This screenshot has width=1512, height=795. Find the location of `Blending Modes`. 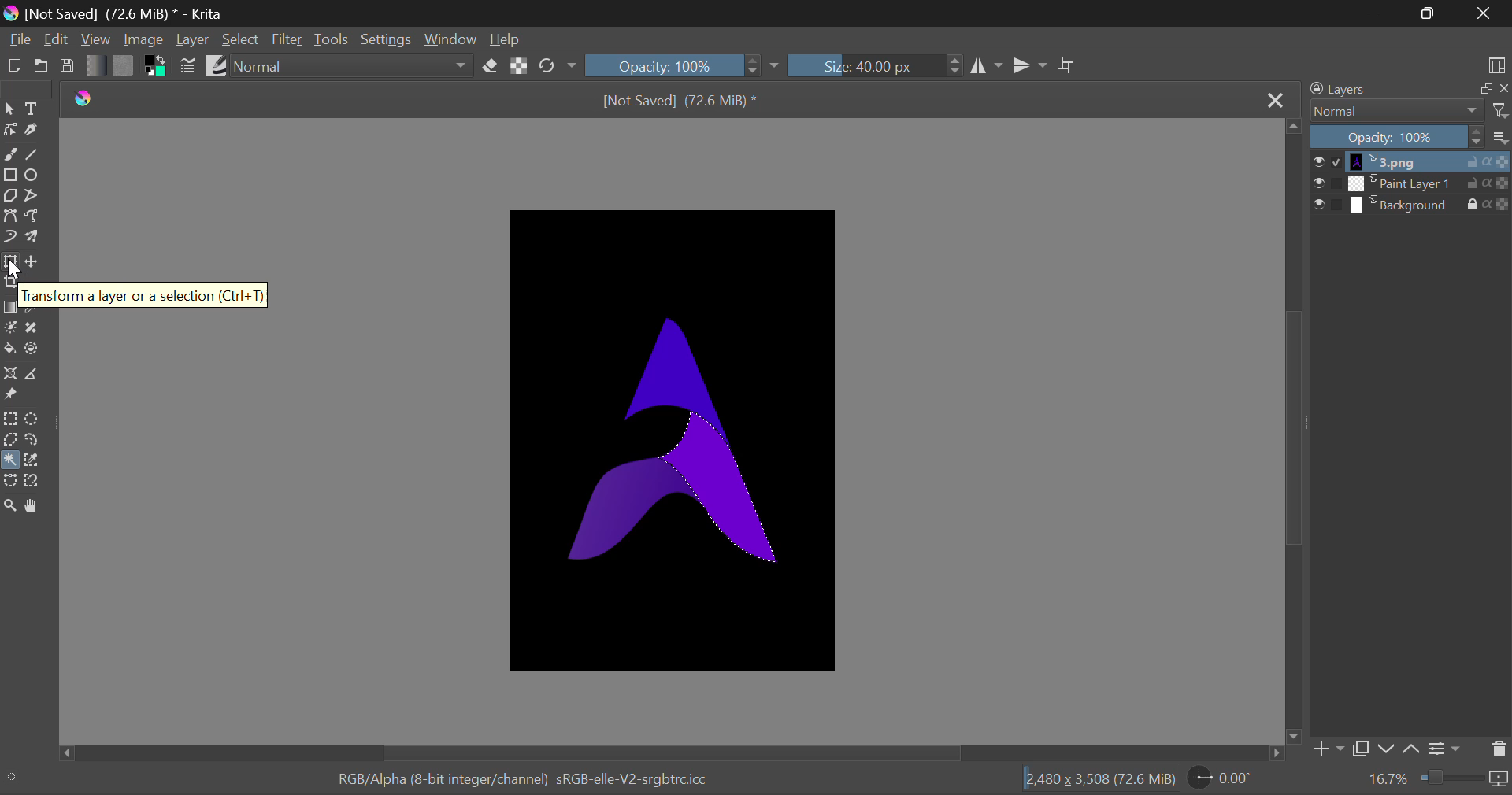

Blending Modes is located at coordinates (353, 65).